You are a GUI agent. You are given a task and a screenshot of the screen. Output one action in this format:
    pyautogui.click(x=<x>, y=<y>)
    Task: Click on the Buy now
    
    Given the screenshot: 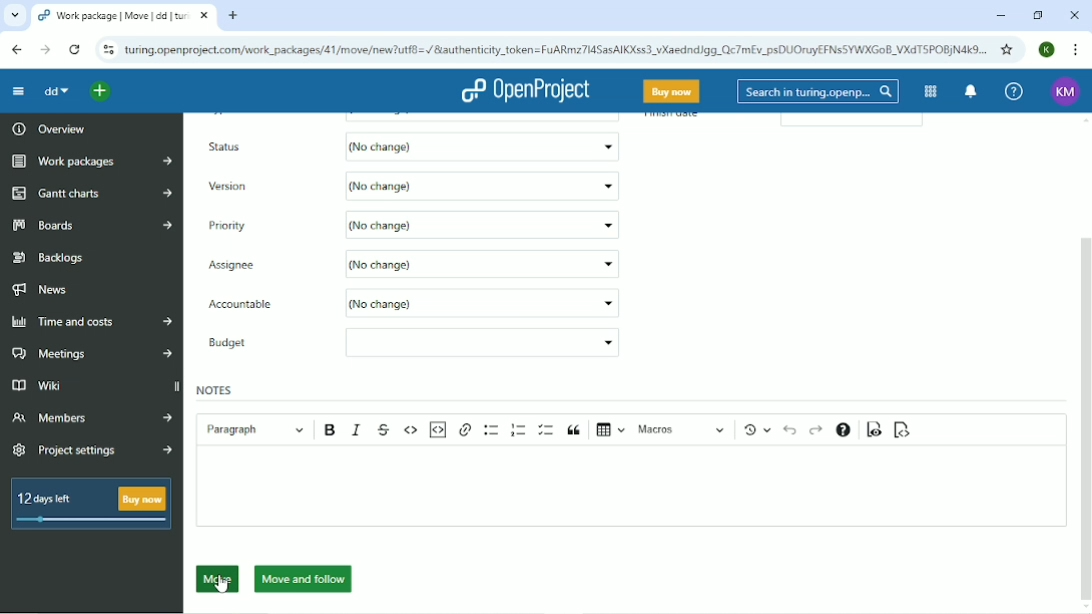 What is the action you would take?
    pyautogui.click(x=672, y=91)
    